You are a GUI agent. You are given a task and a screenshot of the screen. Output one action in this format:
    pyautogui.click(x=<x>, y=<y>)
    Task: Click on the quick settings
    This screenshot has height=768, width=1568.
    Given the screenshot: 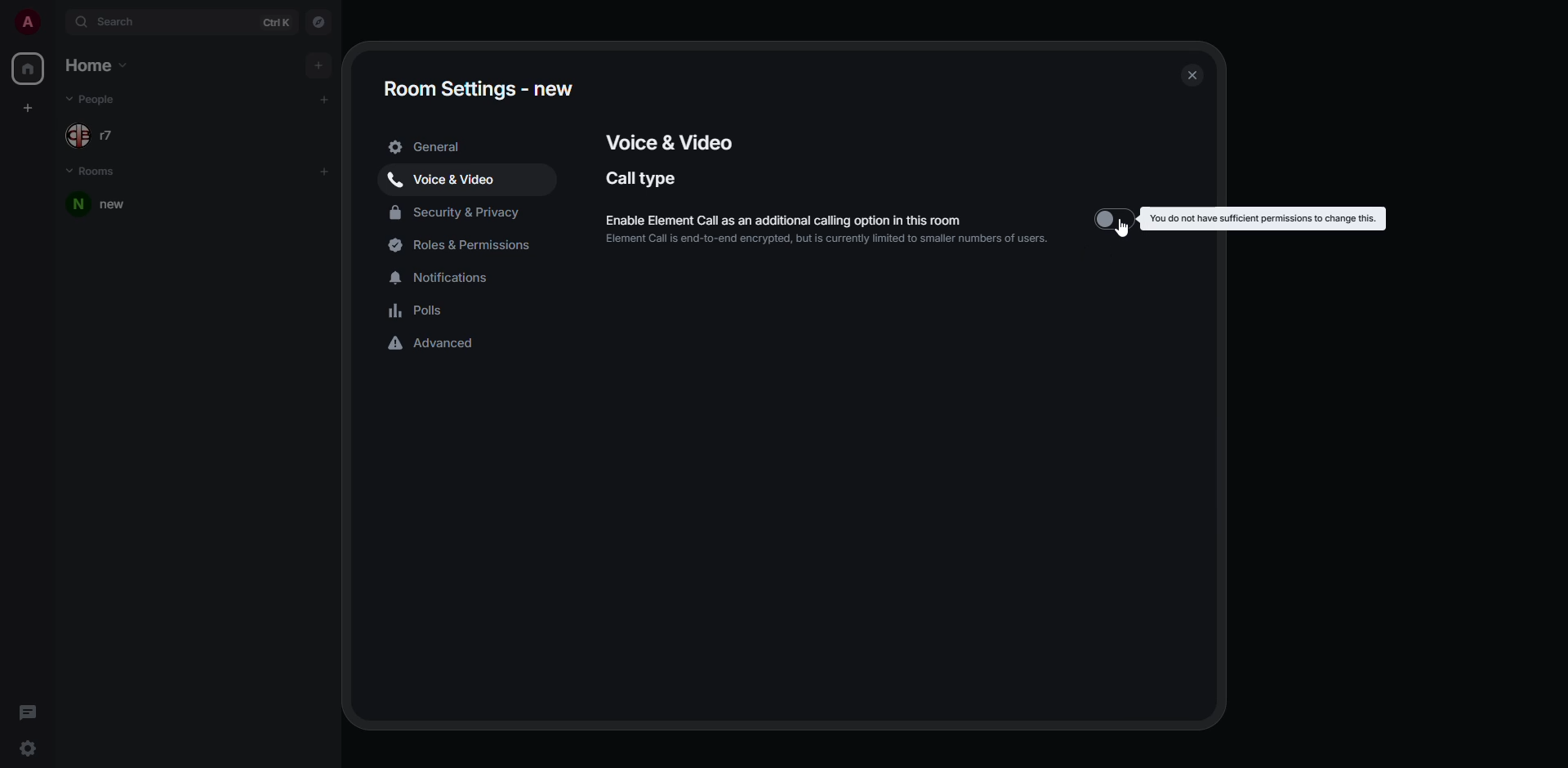 What is the action you would take?
    pyautogui.click(x=25, y=750)
    